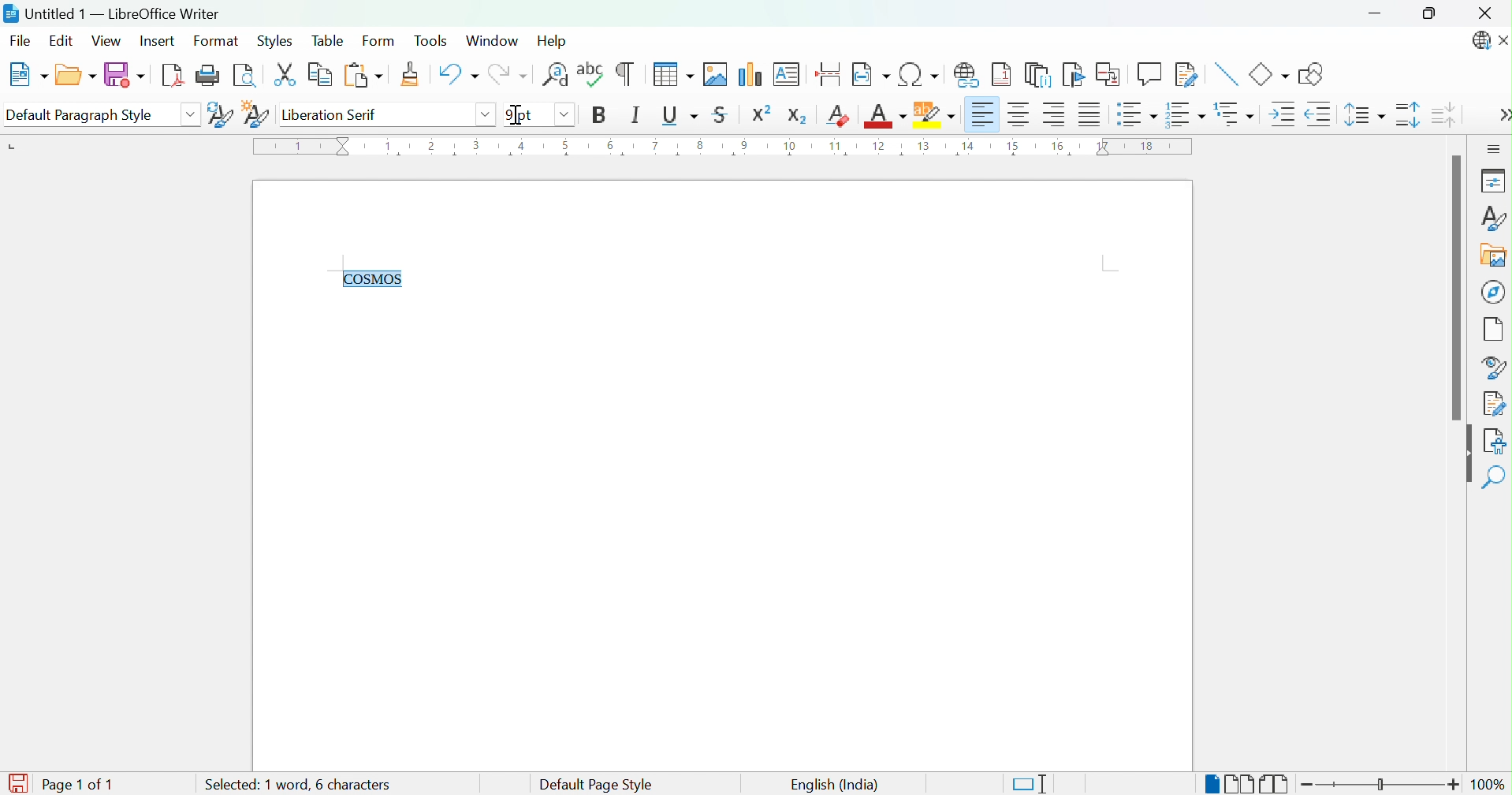 The image size is (1512, 795). I want to click on Tools, so click(433, 39).